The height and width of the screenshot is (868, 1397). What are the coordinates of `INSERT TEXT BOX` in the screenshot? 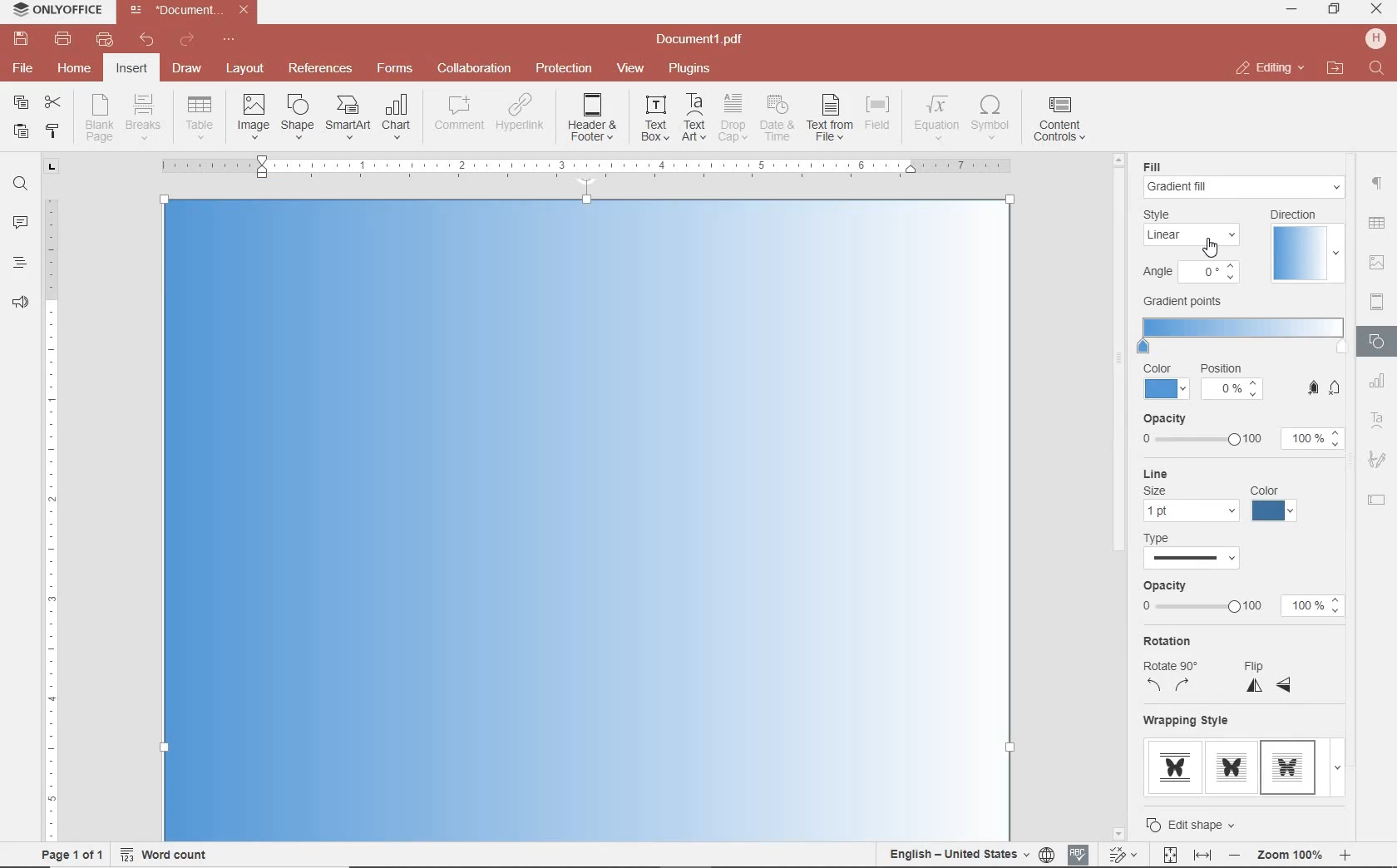 It's located at (654, 117).